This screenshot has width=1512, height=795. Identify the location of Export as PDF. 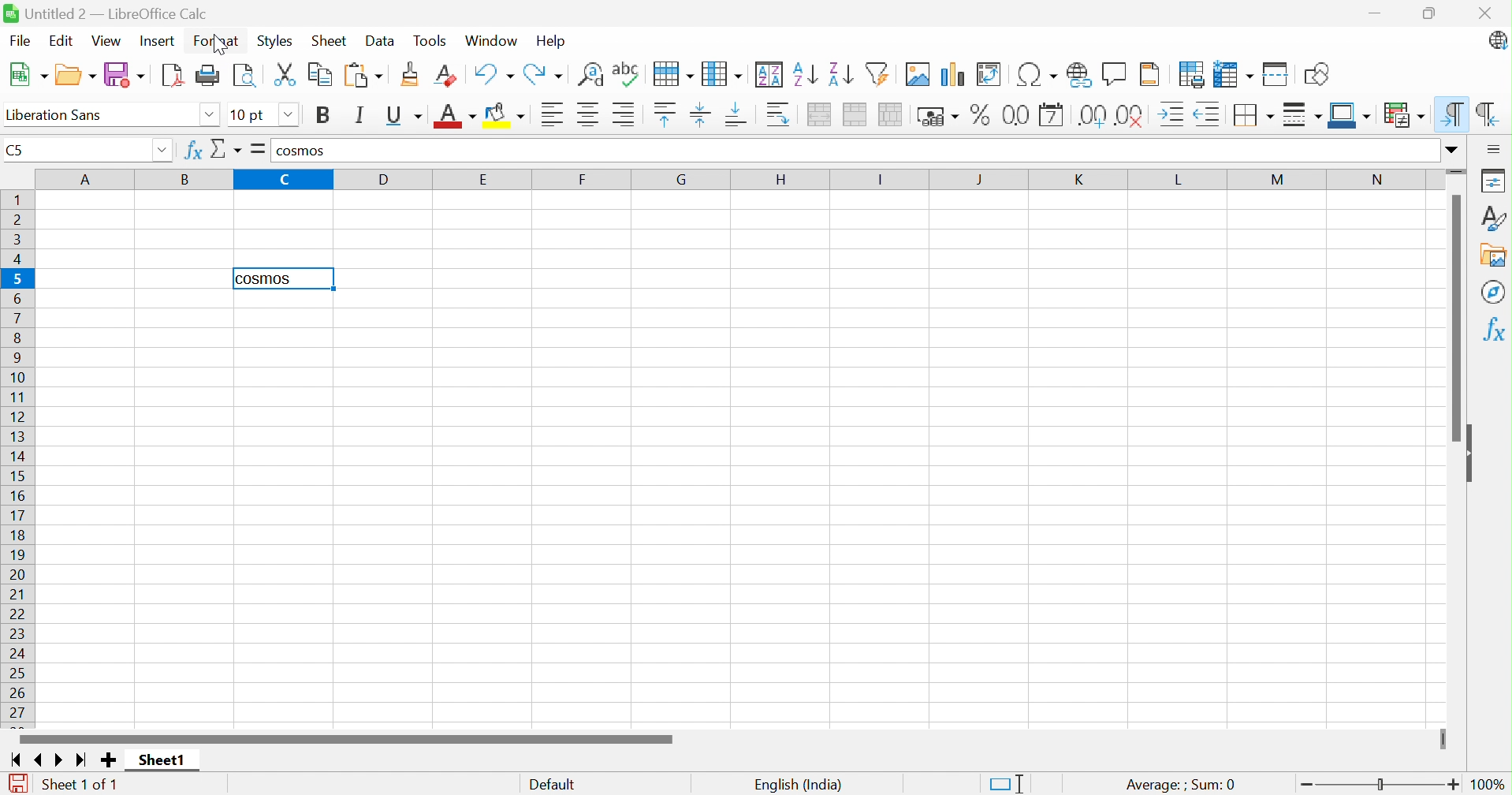
(172, 76).